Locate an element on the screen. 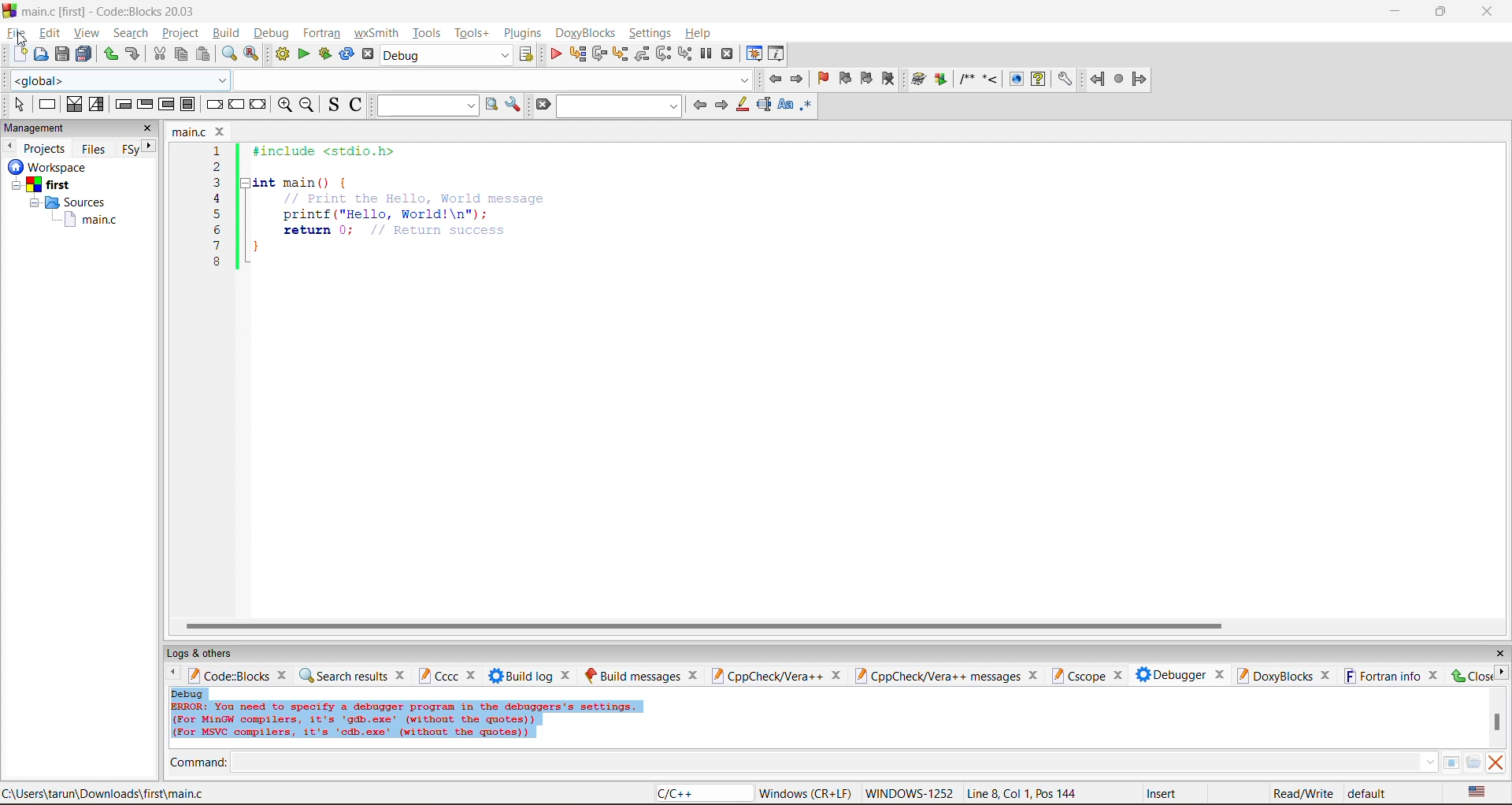  close is located at coordinates (222, 132).